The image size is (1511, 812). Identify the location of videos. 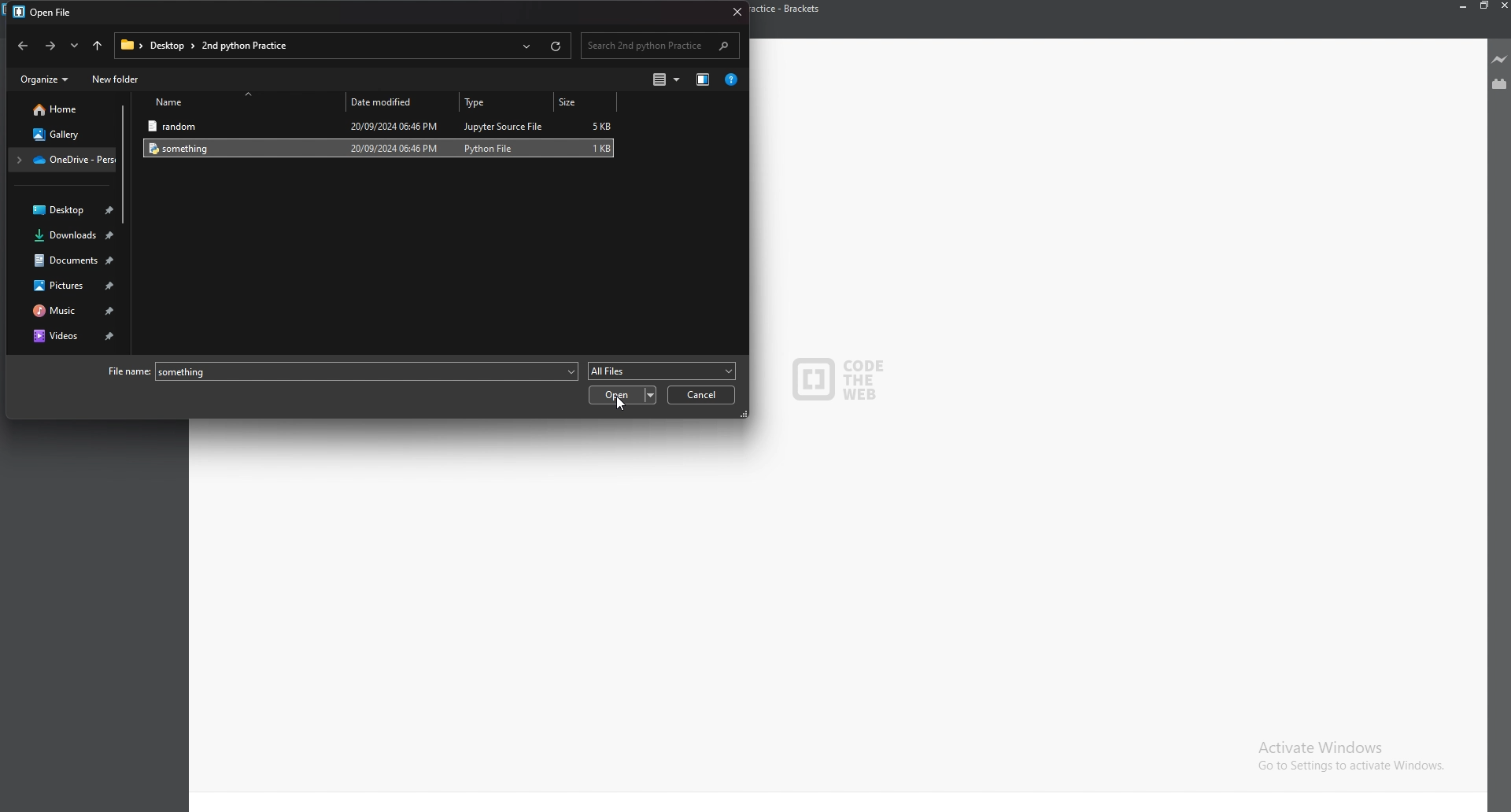
(68, 335).